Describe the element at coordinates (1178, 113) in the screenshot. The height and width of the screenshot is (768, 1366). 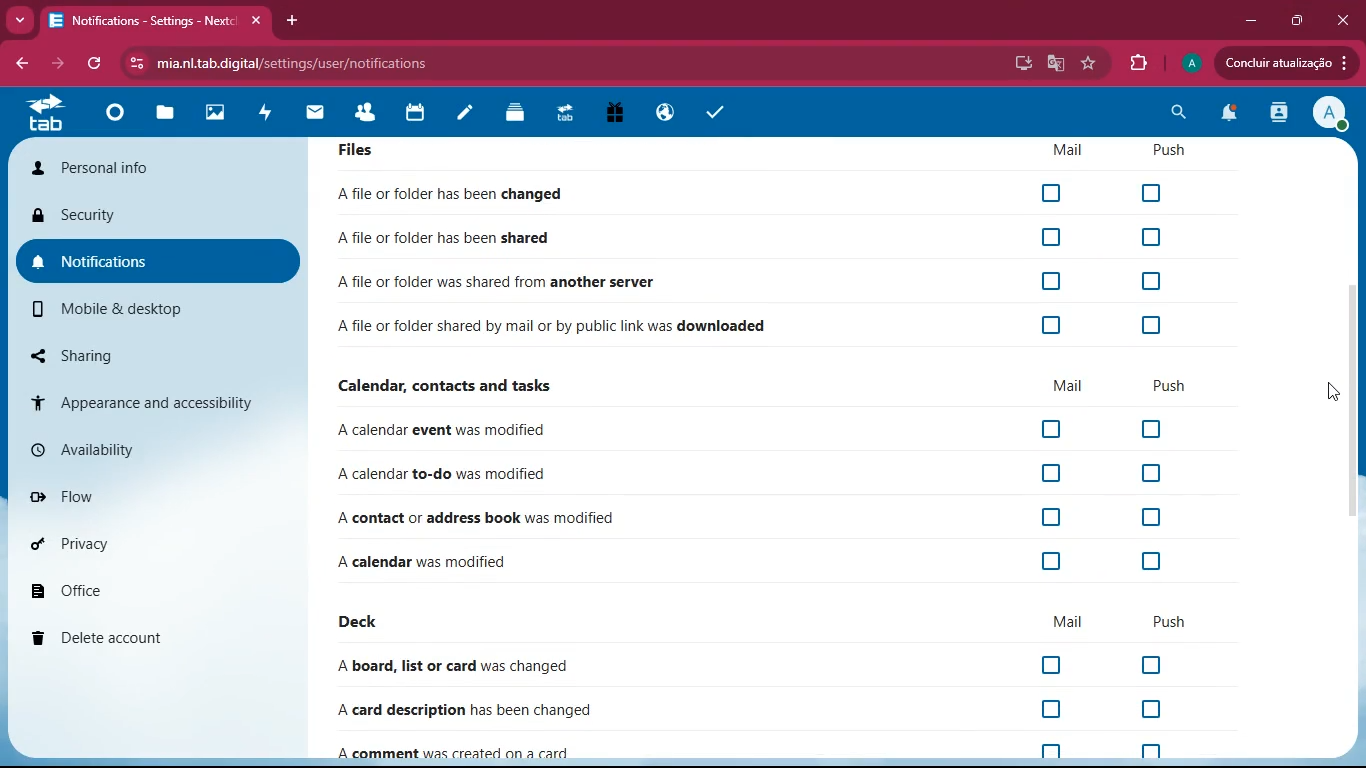
I see `search` at that location.